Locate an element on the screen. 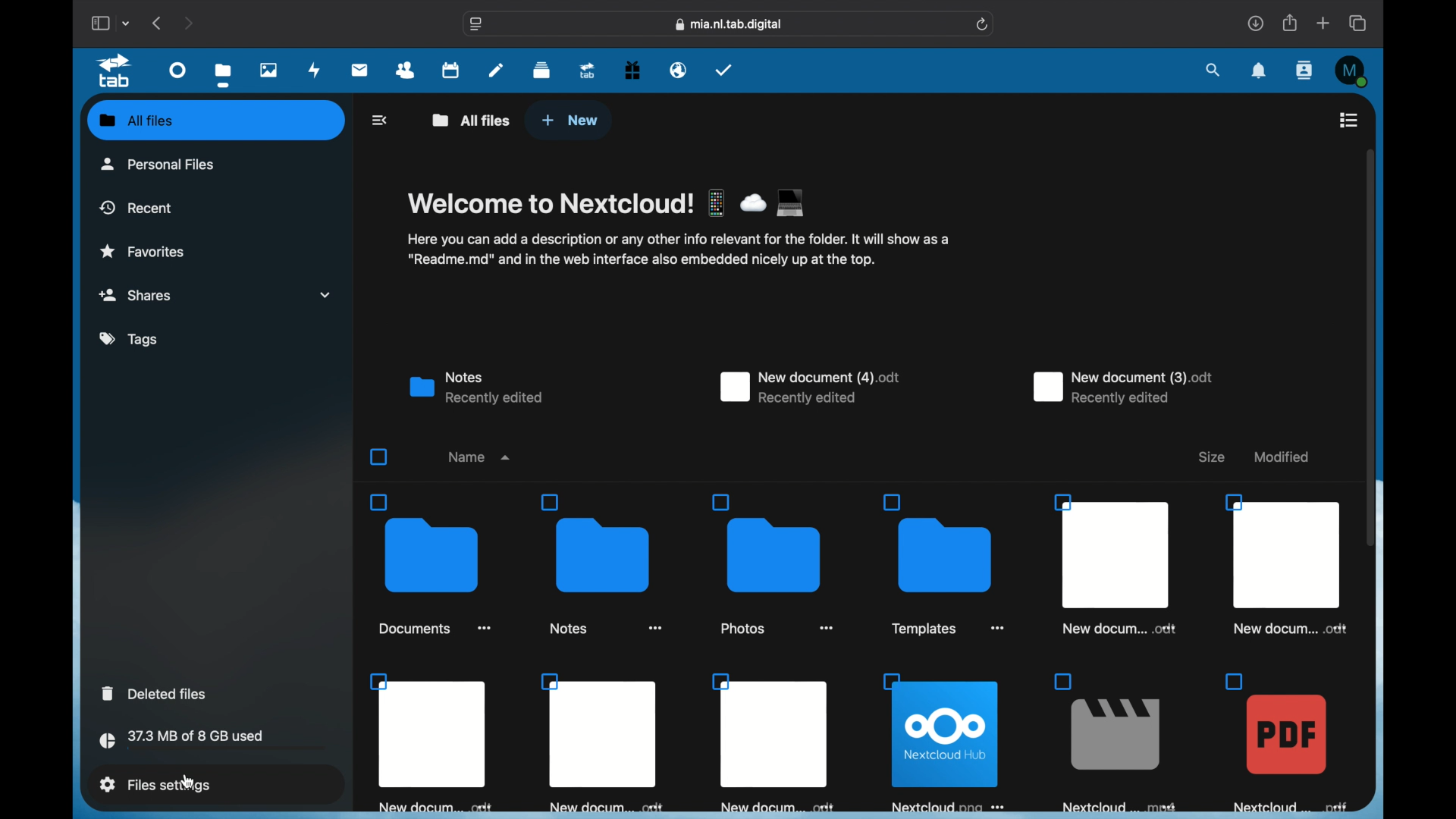  favorites is located at coordinates (143, 252).